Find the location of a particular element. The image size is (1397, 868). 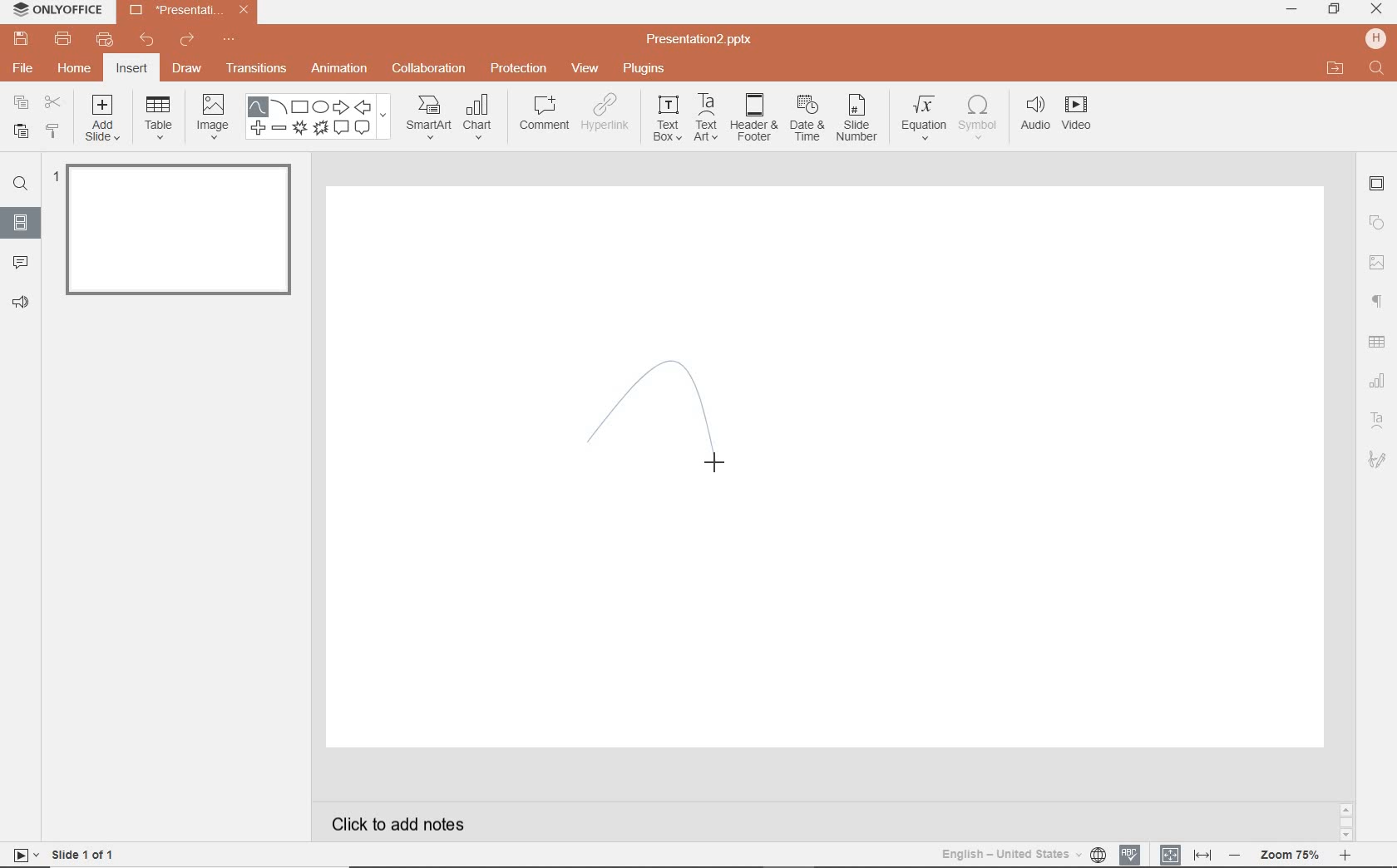

PASTE is located at coordinates (19, 131).